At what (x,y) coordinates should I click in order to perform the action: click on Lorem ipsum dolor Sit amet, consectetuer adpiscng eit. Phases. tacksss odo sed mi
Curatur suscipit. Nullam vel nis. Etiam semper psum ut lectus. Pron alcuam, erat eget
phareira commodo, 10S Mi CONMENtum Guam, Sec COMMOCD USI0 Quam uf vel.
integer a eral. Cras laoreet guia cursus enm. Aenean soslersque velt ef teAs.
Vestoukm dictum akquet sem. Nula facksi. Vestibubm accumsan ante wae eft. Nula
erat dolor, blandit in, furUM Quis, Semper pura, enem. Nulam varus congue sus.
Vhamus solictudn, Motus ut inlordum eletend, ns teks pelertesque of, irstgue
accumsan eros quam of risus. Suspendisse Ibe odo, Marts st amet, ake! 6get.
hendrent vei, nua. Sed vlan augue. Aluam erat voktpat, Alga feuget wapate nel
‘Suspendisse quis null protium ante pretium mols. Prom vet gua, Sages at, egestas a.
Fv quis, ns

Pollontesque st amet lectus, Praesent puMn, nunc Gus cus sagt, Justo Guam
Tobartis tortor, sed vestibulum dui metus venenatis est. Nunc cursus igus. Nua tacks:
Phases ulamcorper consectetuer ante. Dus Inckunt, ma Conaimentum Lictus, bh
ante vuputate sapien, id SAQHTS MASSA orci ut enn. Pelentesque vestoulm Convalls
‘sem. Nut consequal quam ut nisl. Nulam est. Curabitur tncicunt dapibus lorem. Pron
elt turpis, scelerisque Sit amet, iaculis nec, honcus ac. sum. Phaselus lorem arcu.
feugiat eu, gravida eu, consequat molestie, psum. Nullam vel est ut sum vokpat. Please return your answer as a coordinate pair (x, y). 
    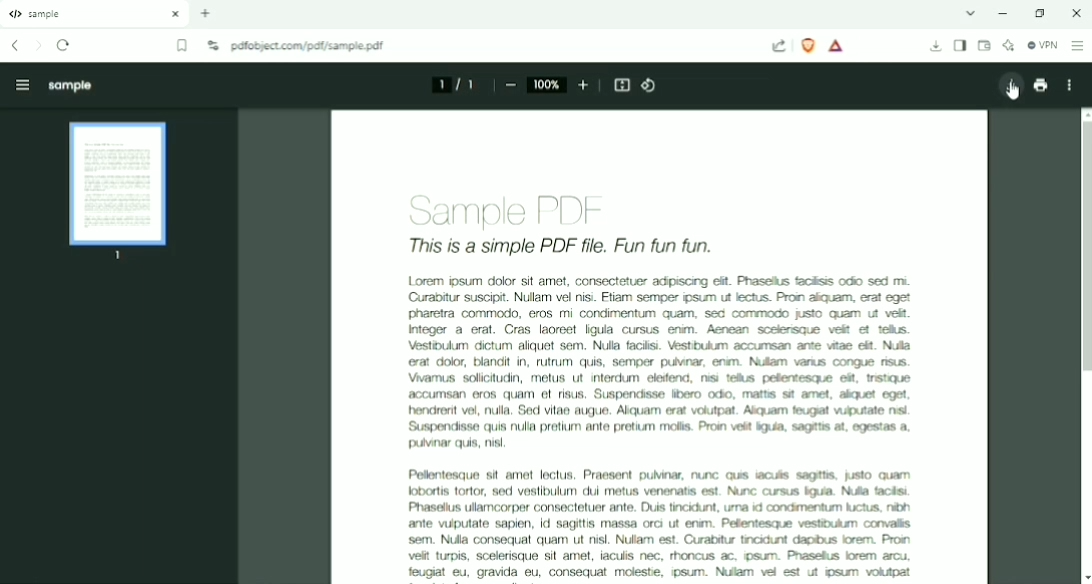
    Looking at the image, I should click on (655, 425).